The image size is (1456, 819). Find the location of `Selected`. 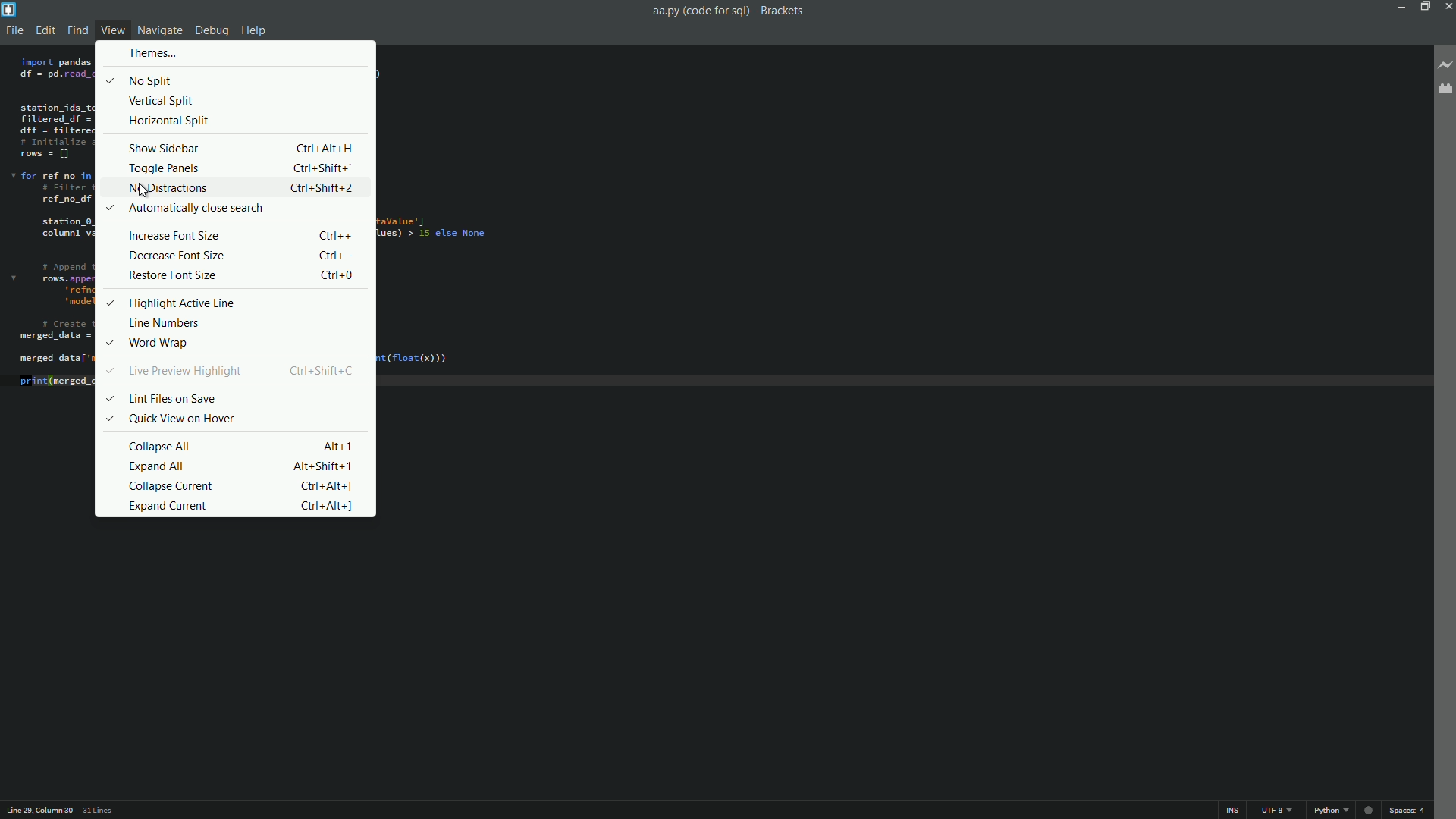

Selected is located at coordinates (110, 342).